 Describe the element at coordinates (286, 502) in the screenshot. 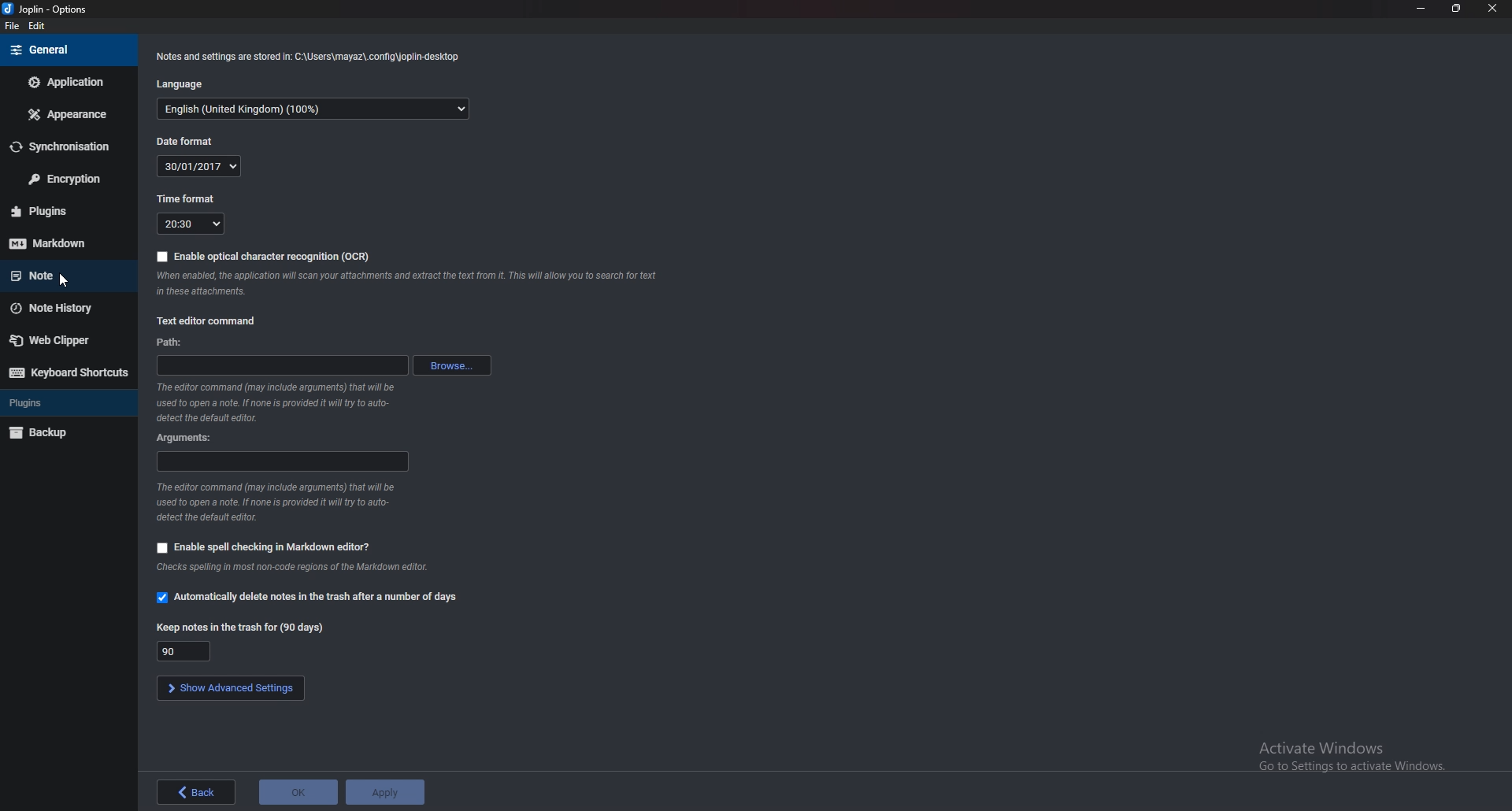

I see `Info` at that location.